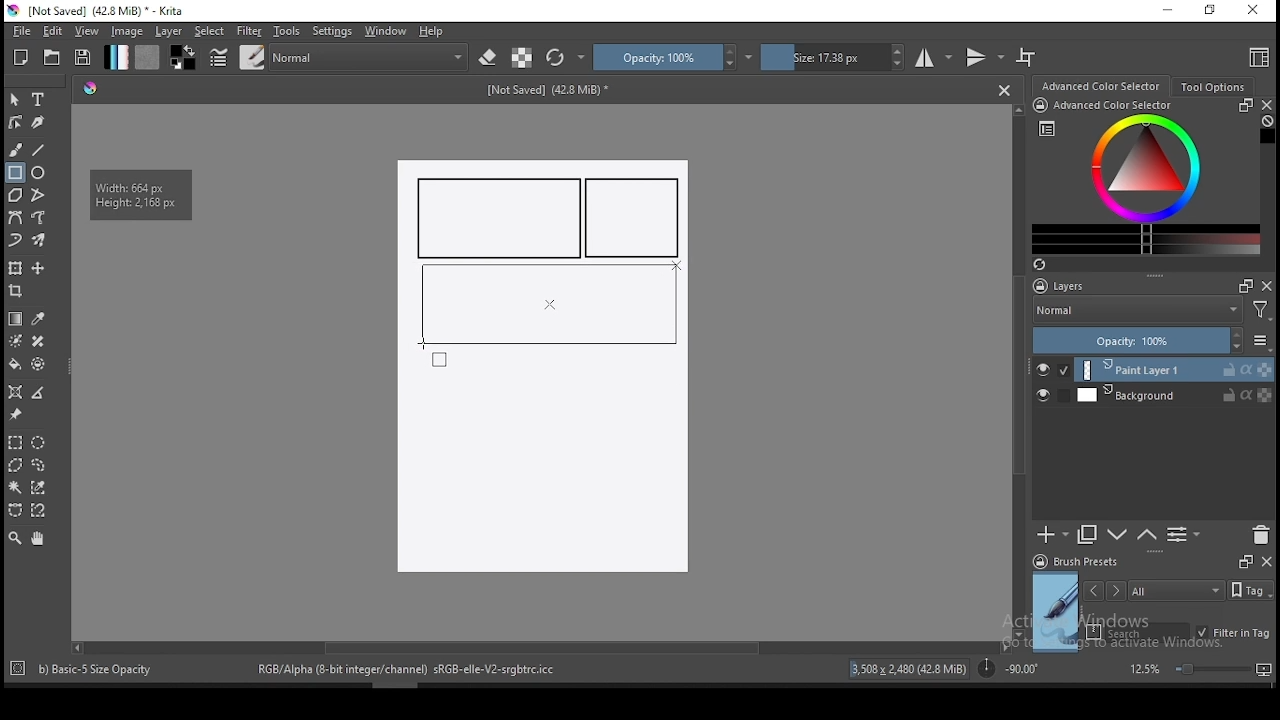 The width and height of the screenshot is (1280, 720). What do you see at coordinates (38, 364) in the screenshot?
I see `enclose and fill tool` at bounding box center [38, 364].